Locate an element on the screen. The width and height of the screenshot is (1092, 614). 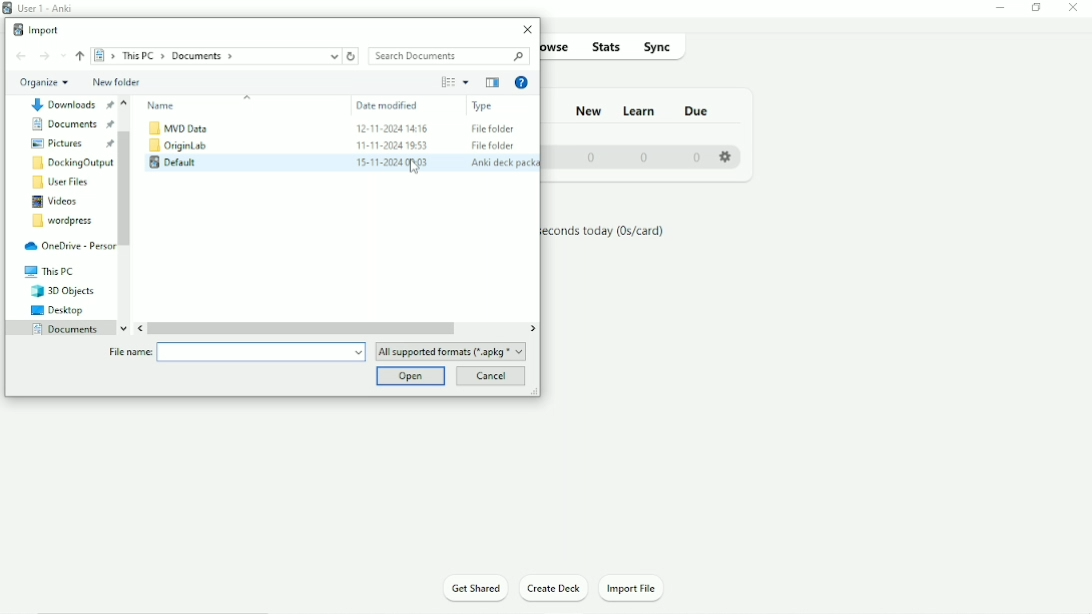
Type is located at coordinates (483, 106).